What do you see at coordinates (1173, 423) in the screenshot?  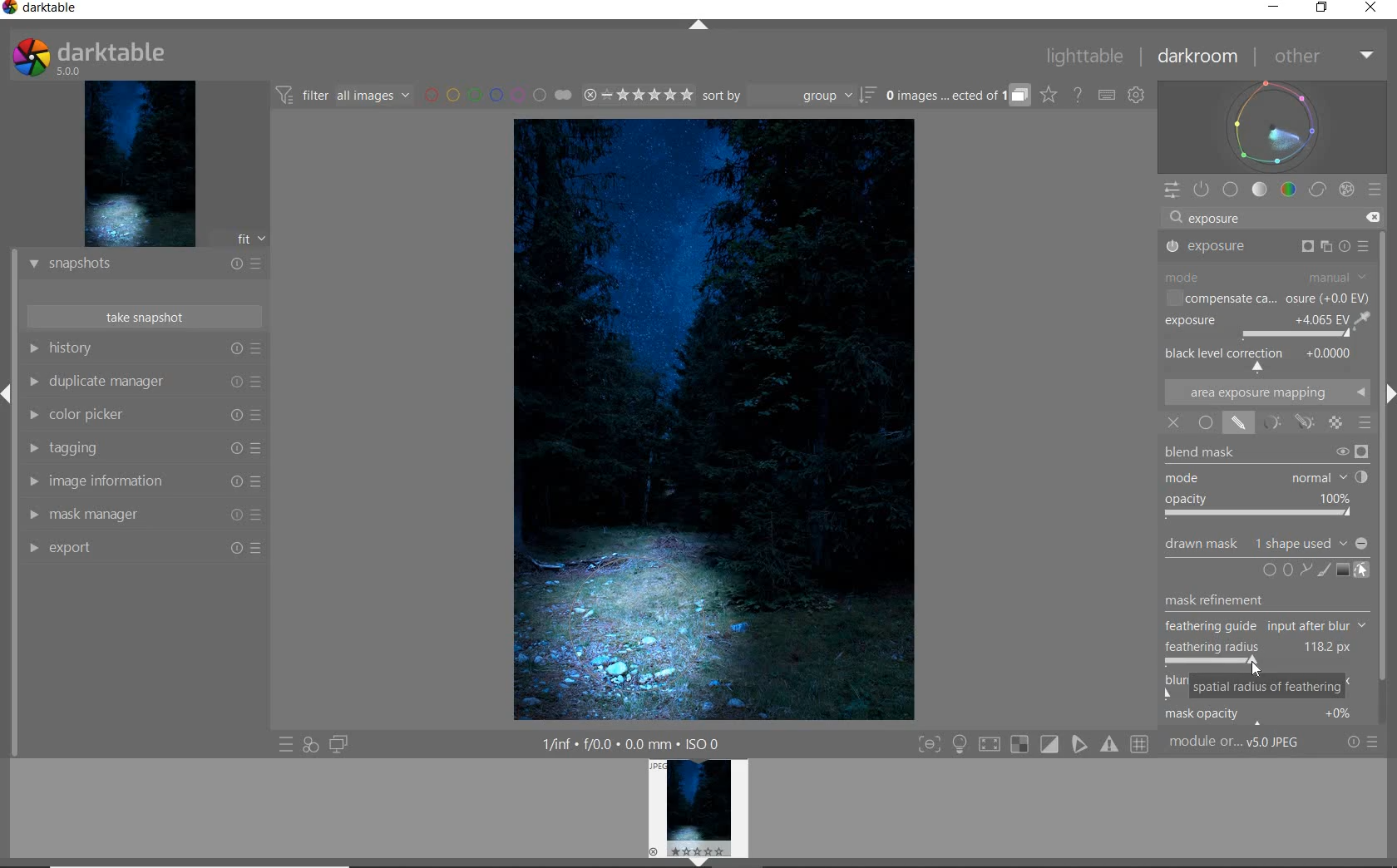 I see `OFF` at bounding box center [1173, 423].